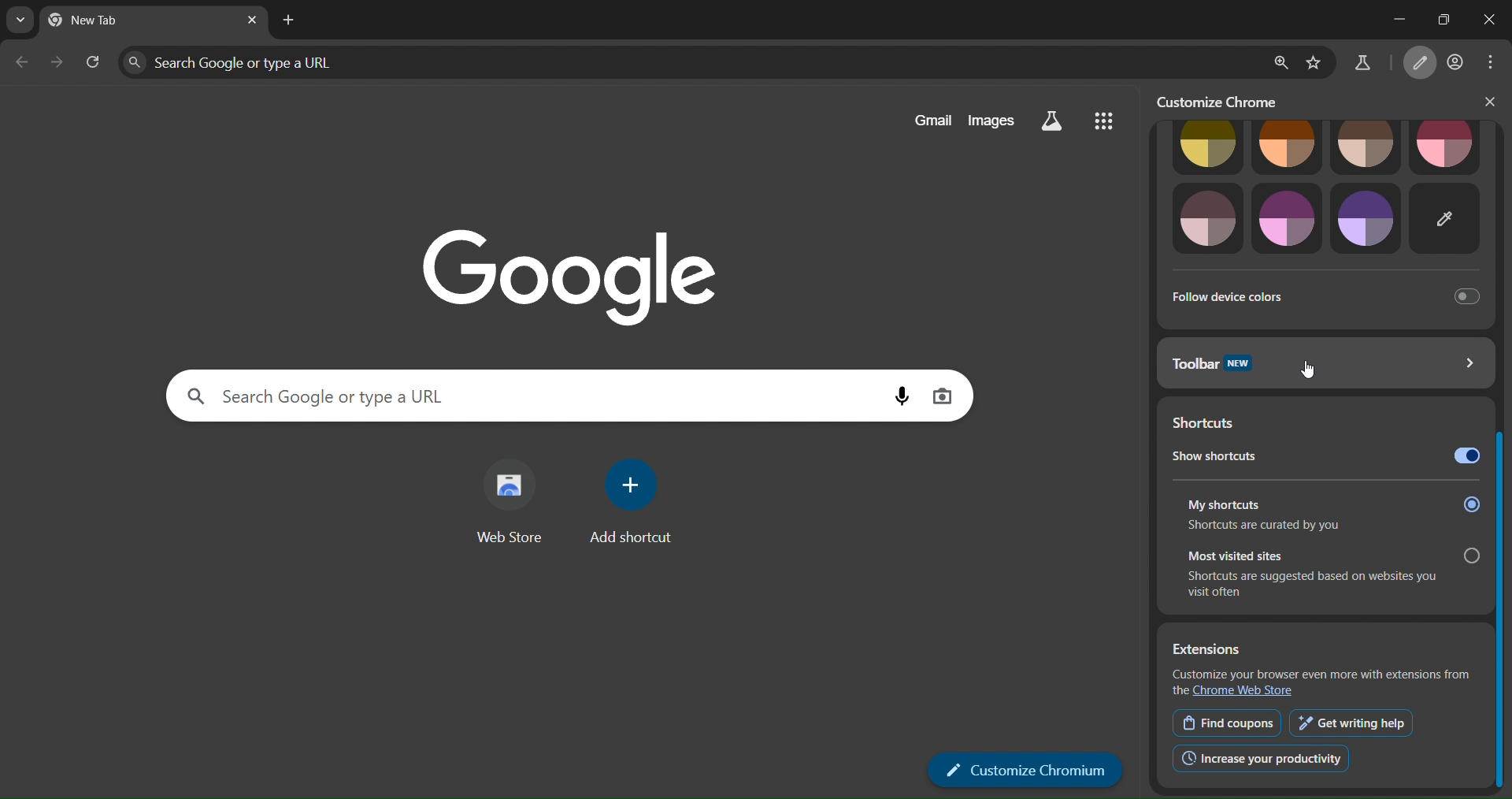 The width and height of the screenshot is (1512, 799). What do you see at coordinates (1223, 98) in the screenshot?
I see `customize chrome` at bounding box center [1223, 98].